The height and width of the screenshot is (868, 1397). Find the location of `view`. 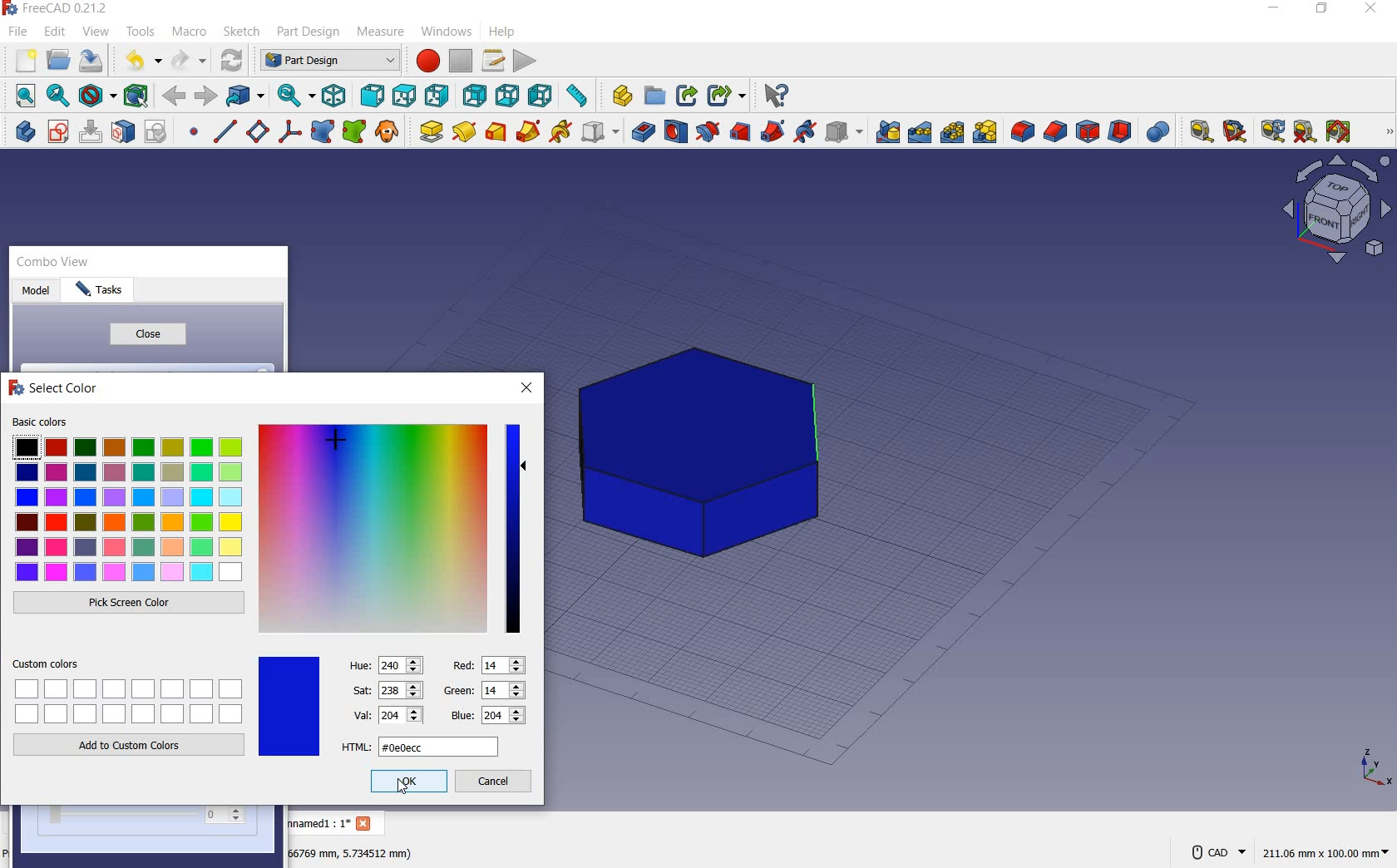

view is located at coordinates (97, 29).